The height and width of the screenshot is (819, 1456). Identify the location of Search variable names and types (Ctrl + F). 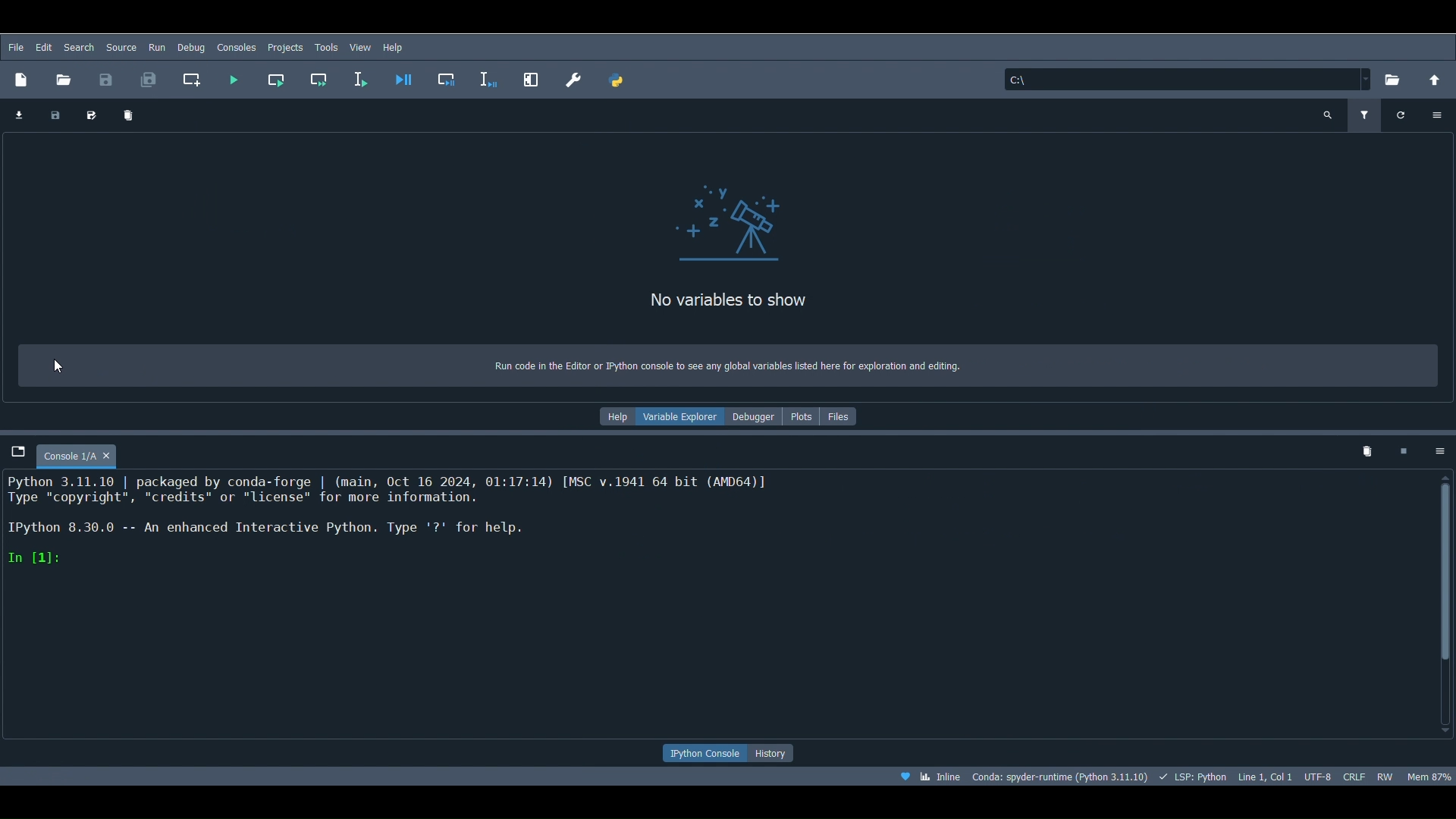
(1327, 112).